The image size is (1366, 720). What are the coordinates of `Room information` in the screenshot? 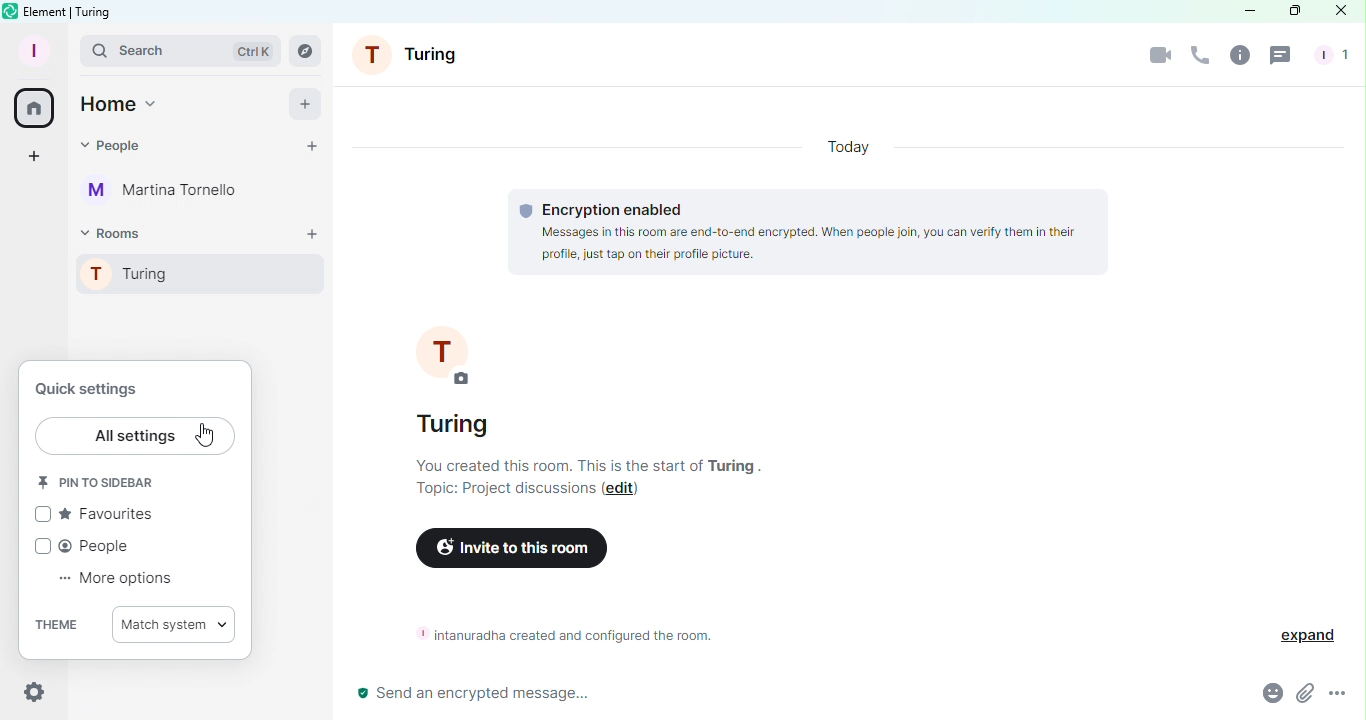 It's located at (572, 639).